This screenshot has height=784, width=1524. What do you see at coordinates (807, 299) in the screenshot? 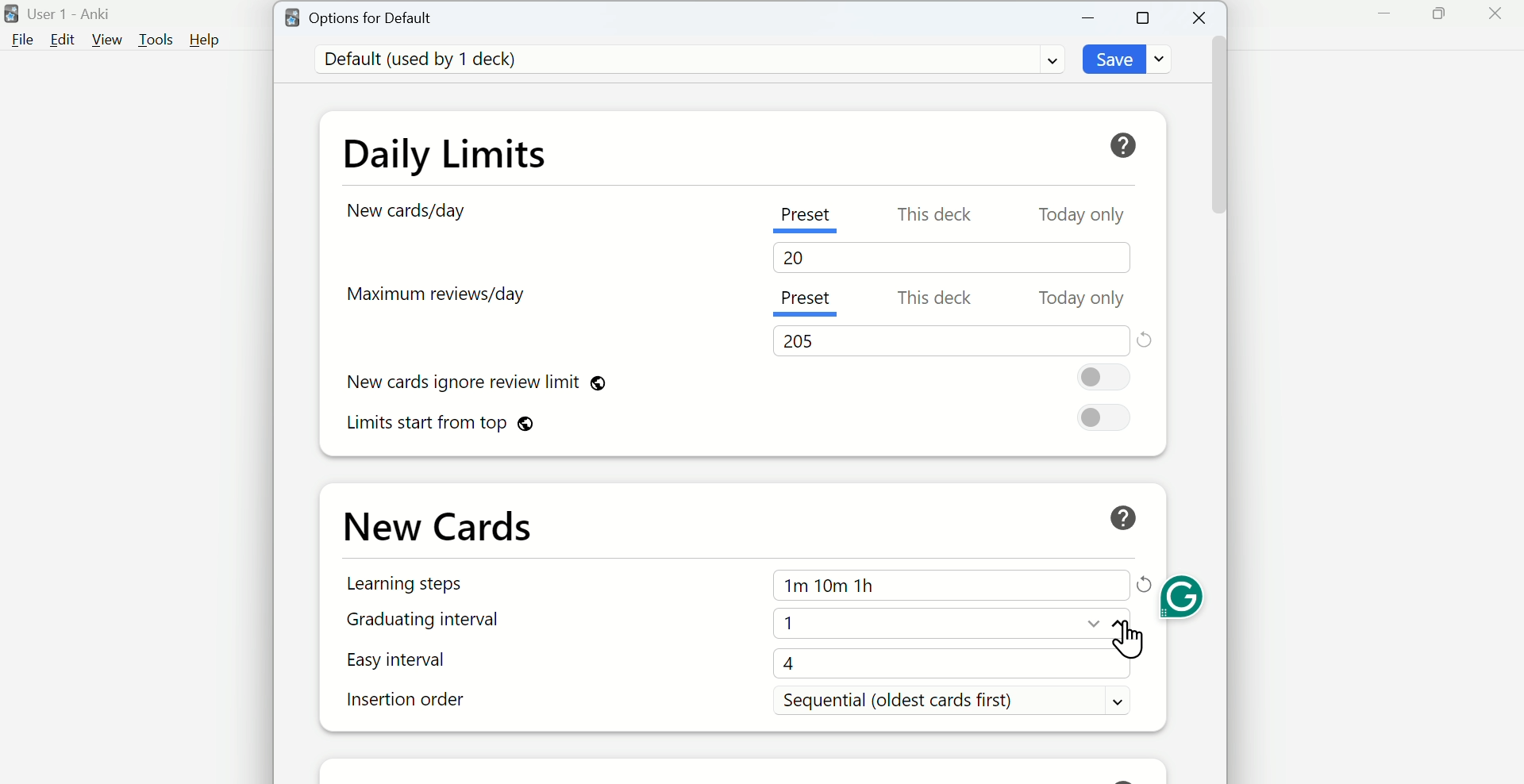
I see `Present` at bounding box center [807, 299].